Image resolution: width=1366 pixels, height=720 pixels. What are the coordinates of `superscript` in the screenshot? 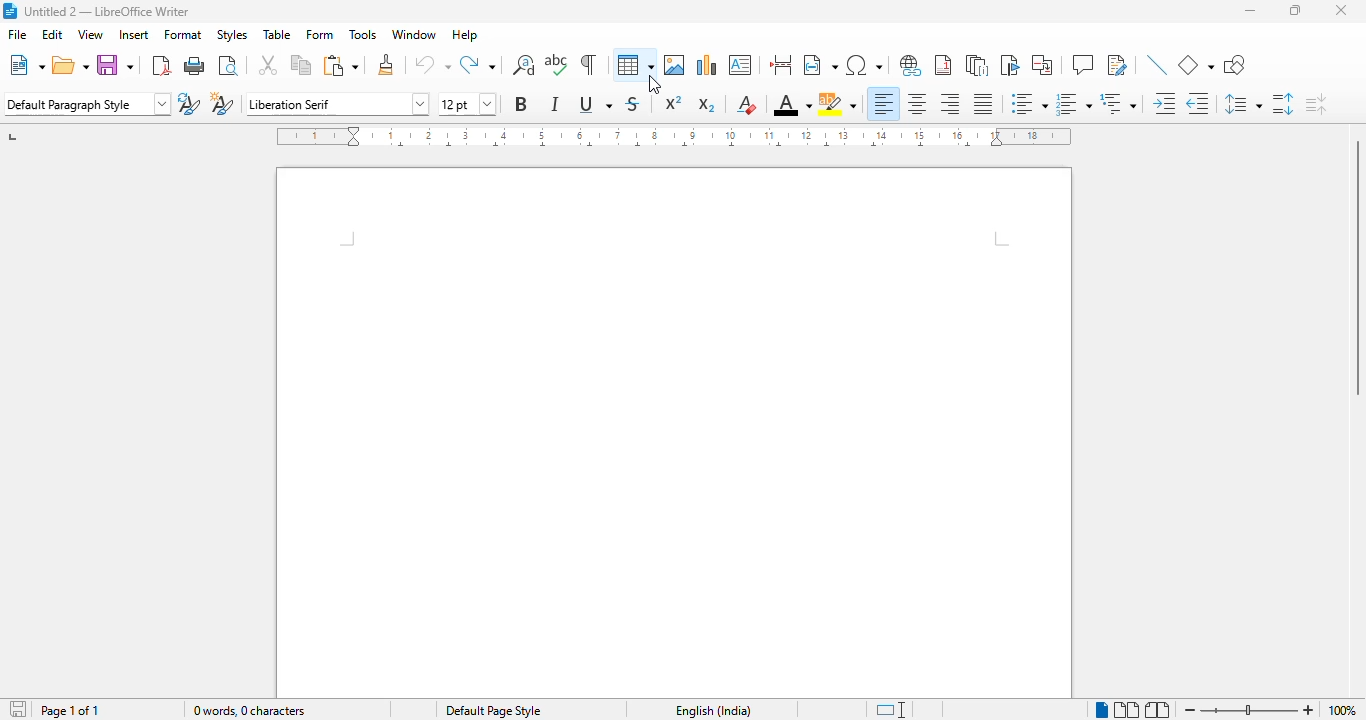 It's located at (674, 101).